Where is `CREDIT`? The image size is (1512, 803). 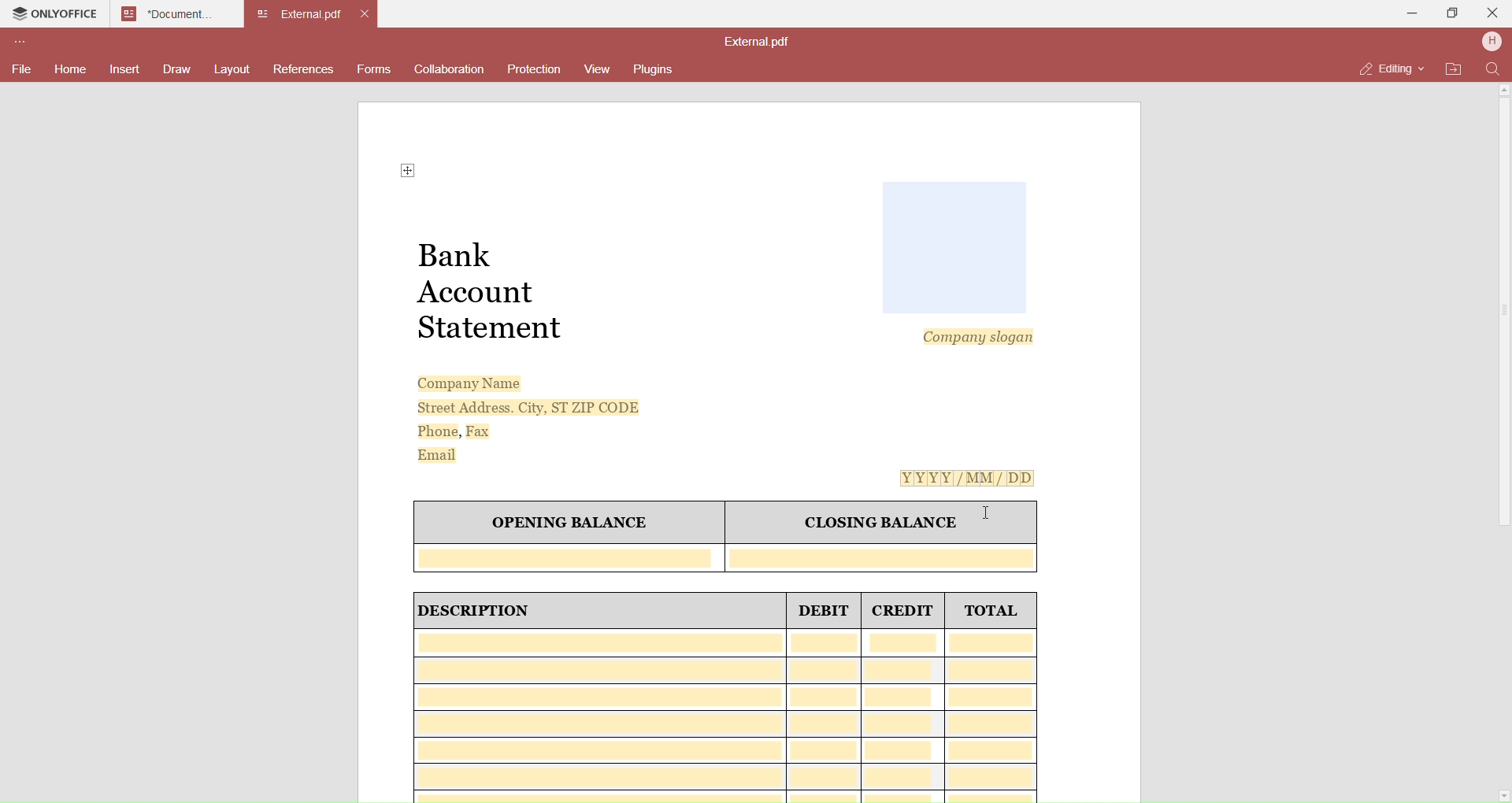
CREDIT is located at coordinates (905, 612).